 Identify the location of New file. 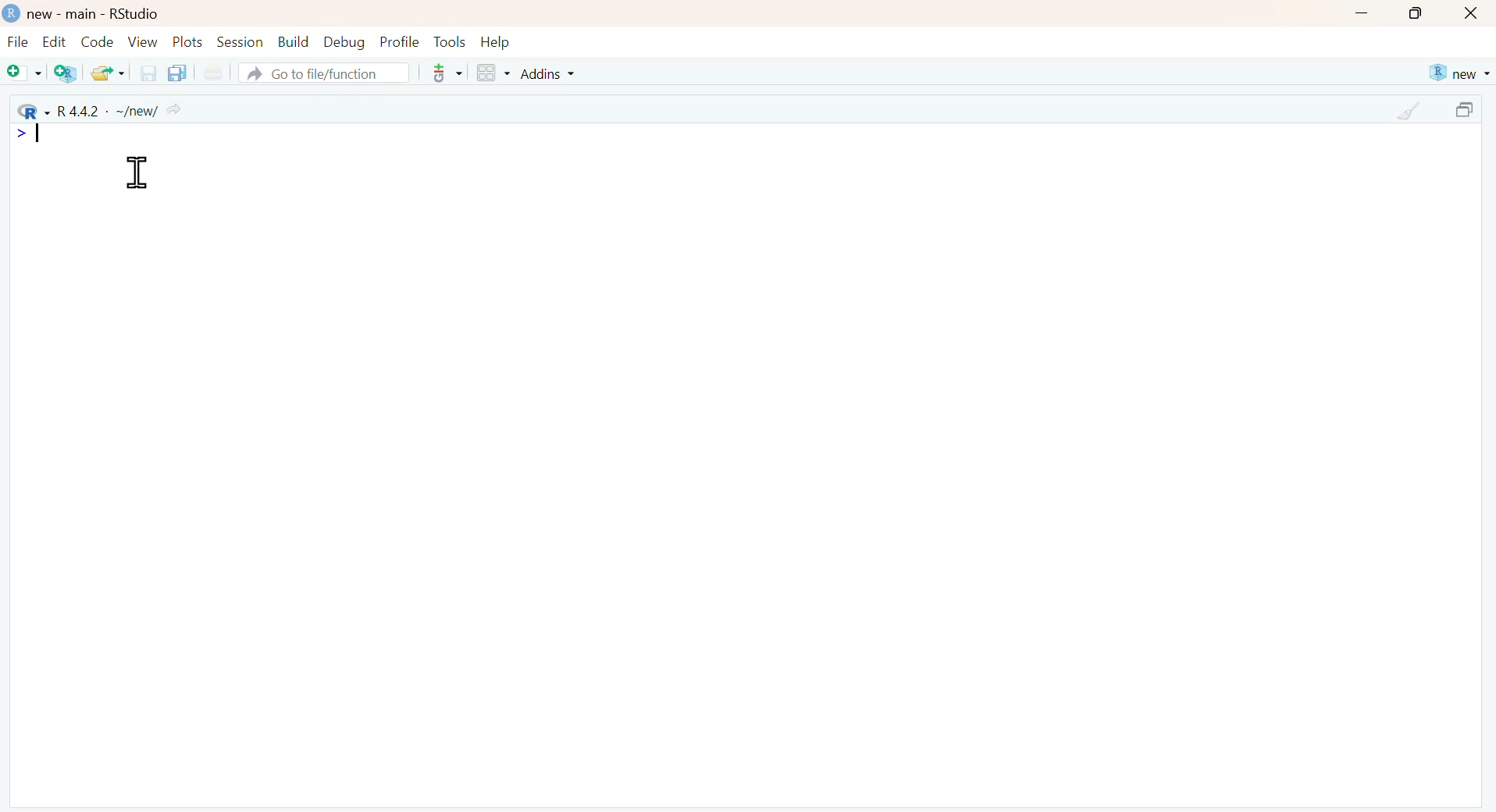
(25, 74).